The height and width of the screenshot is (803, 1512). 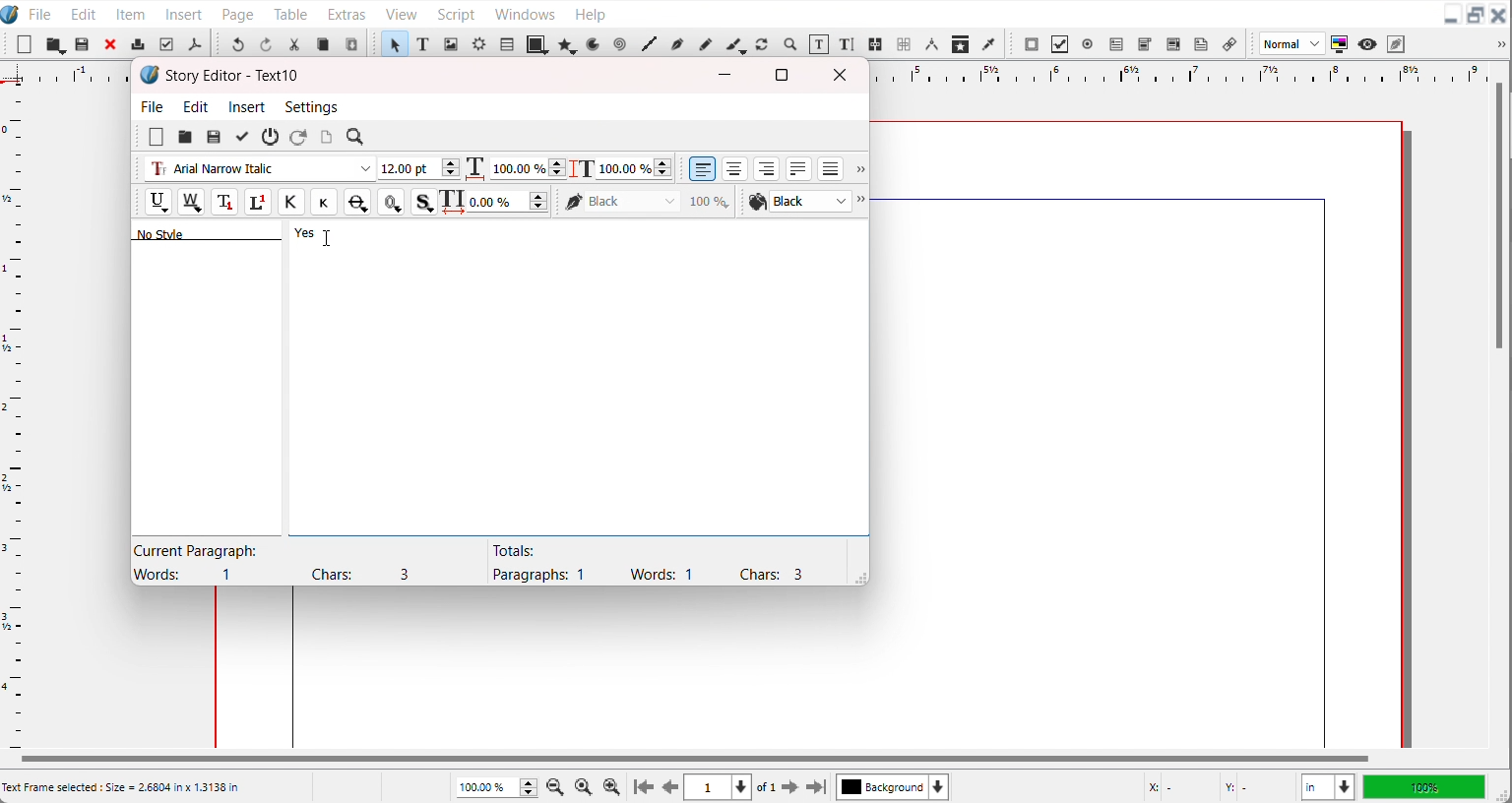 What do you see at coordinates (1341, 44) in the screenshot?
I see `Toggle color` at bounding box center [1341, 44].